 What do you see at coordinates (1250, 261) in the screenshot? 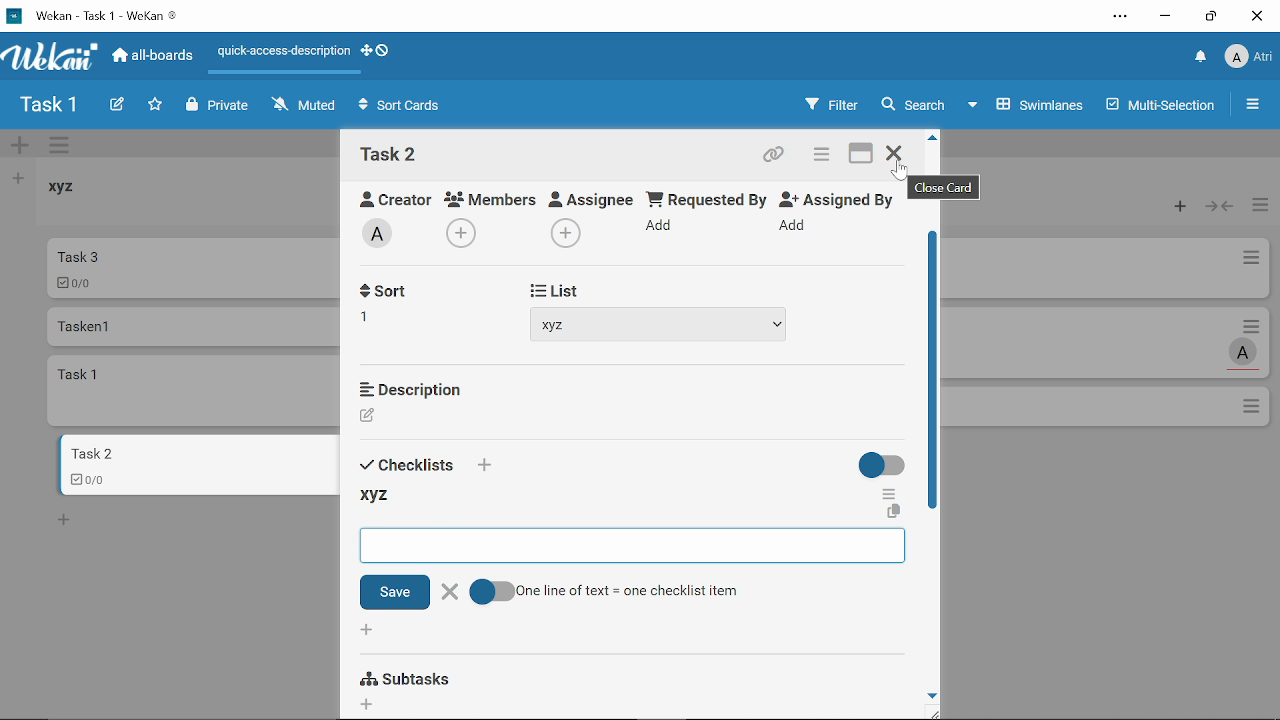
I see `Card actions` at bounding box center [1250, 261].